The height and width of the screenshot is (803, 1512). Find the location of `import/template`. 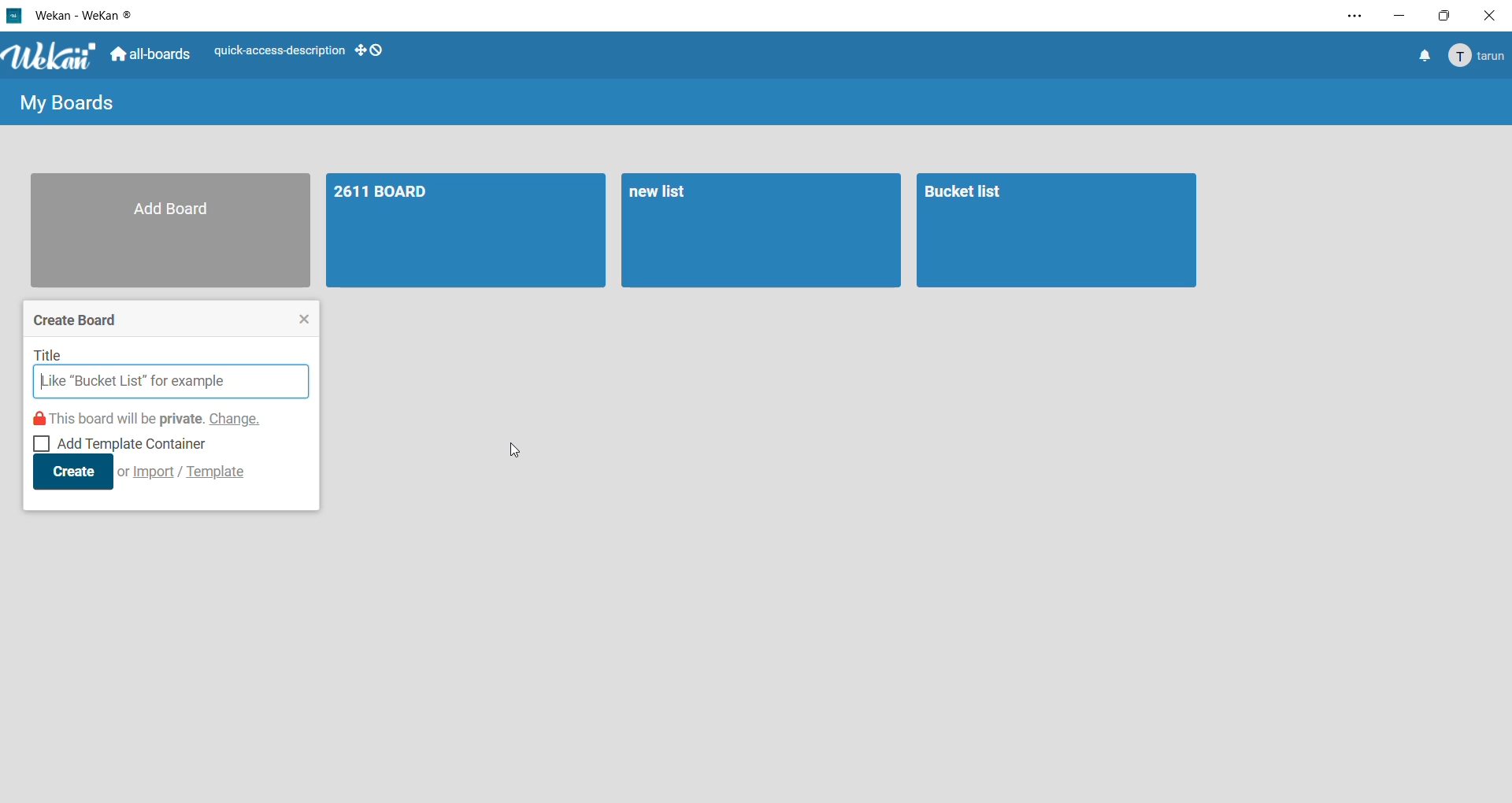

import/template is located at coordinates (191, 473).